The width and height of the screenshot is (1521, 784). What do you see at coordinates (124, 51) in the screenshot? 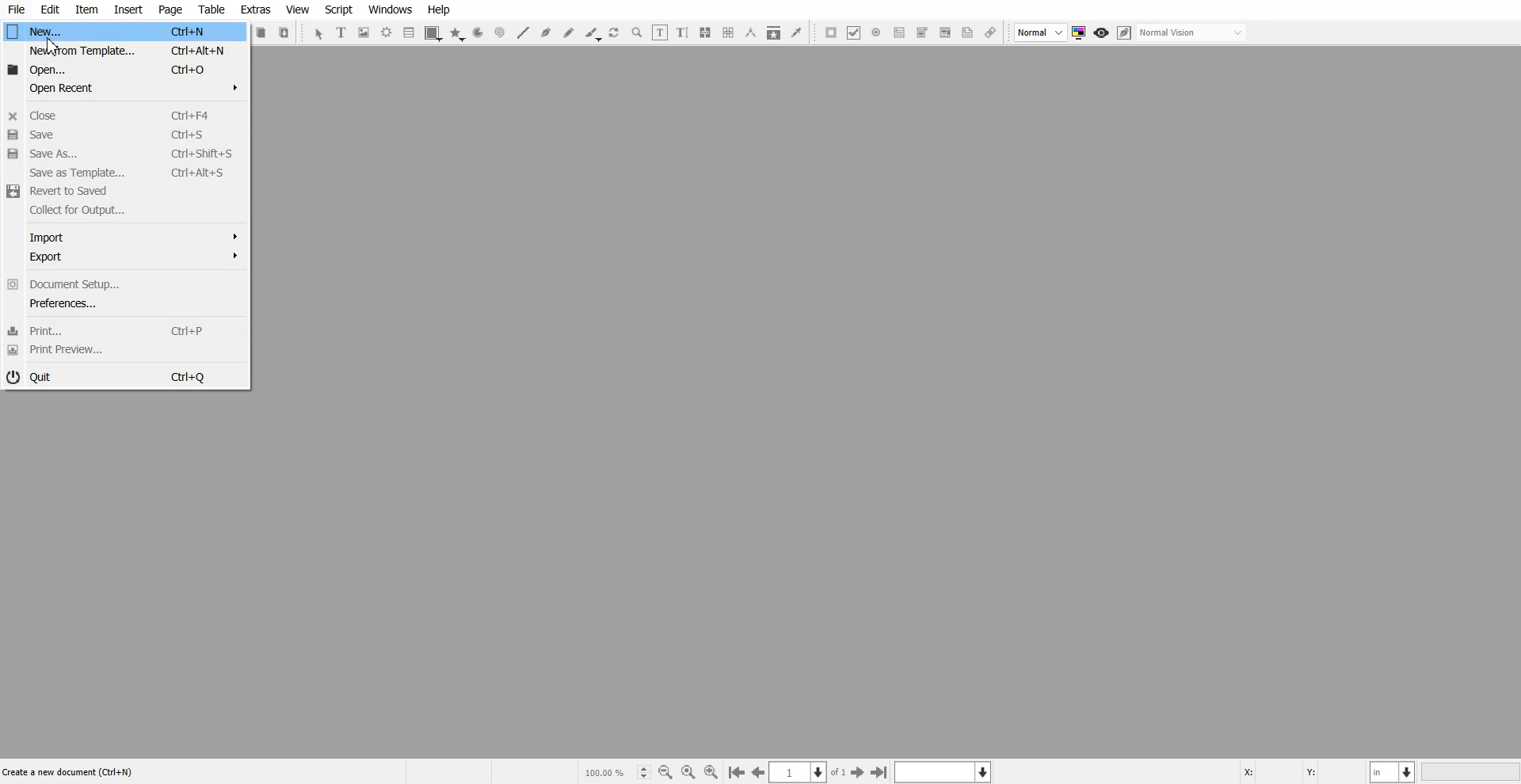
I see `New from Template` at bounding box center [124, 51].